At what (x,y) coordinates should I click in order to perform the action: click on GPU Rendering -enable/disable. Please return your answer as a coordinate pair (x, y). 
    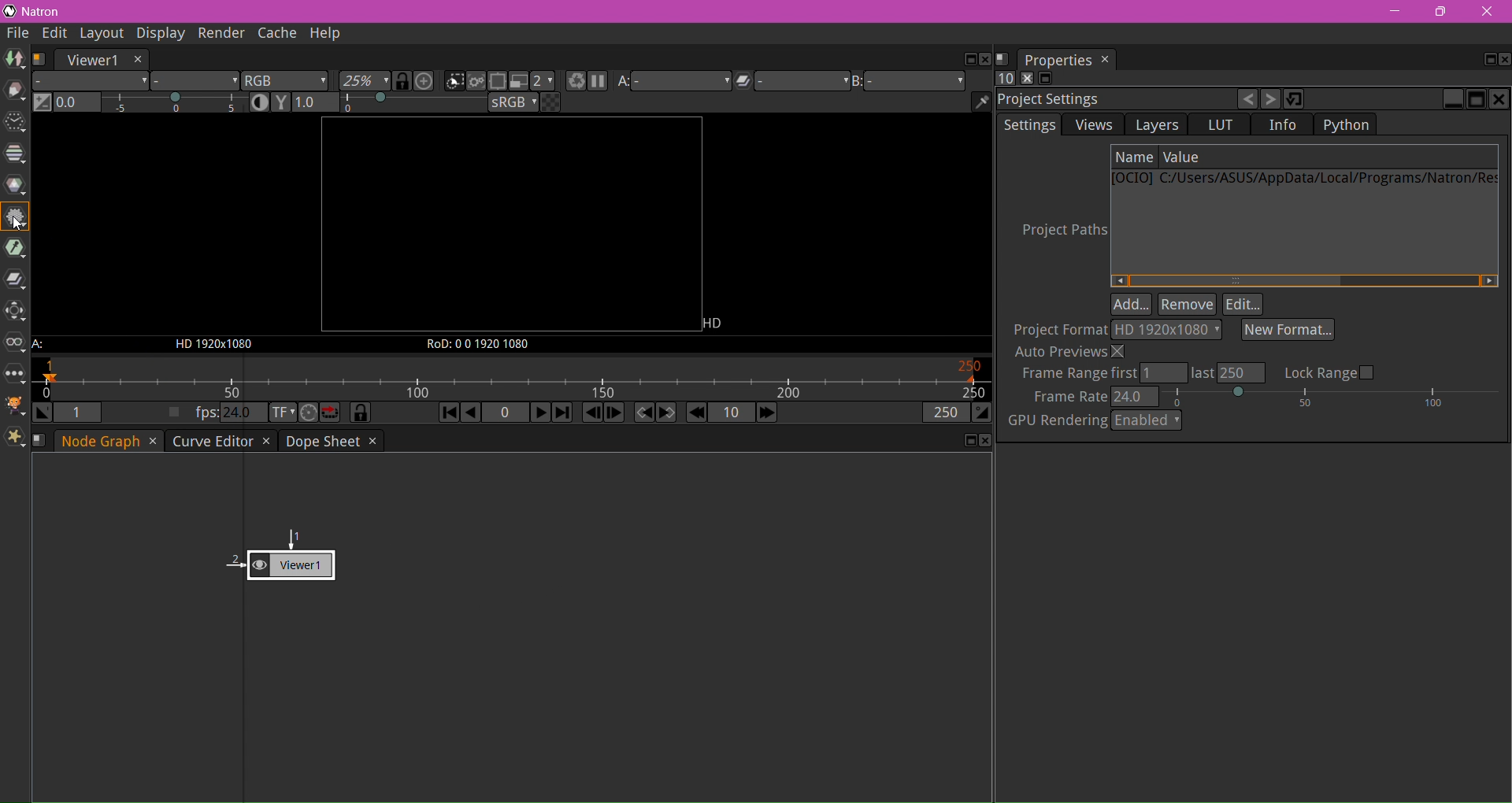
    Looking at the image, I should click on (1095, 420).